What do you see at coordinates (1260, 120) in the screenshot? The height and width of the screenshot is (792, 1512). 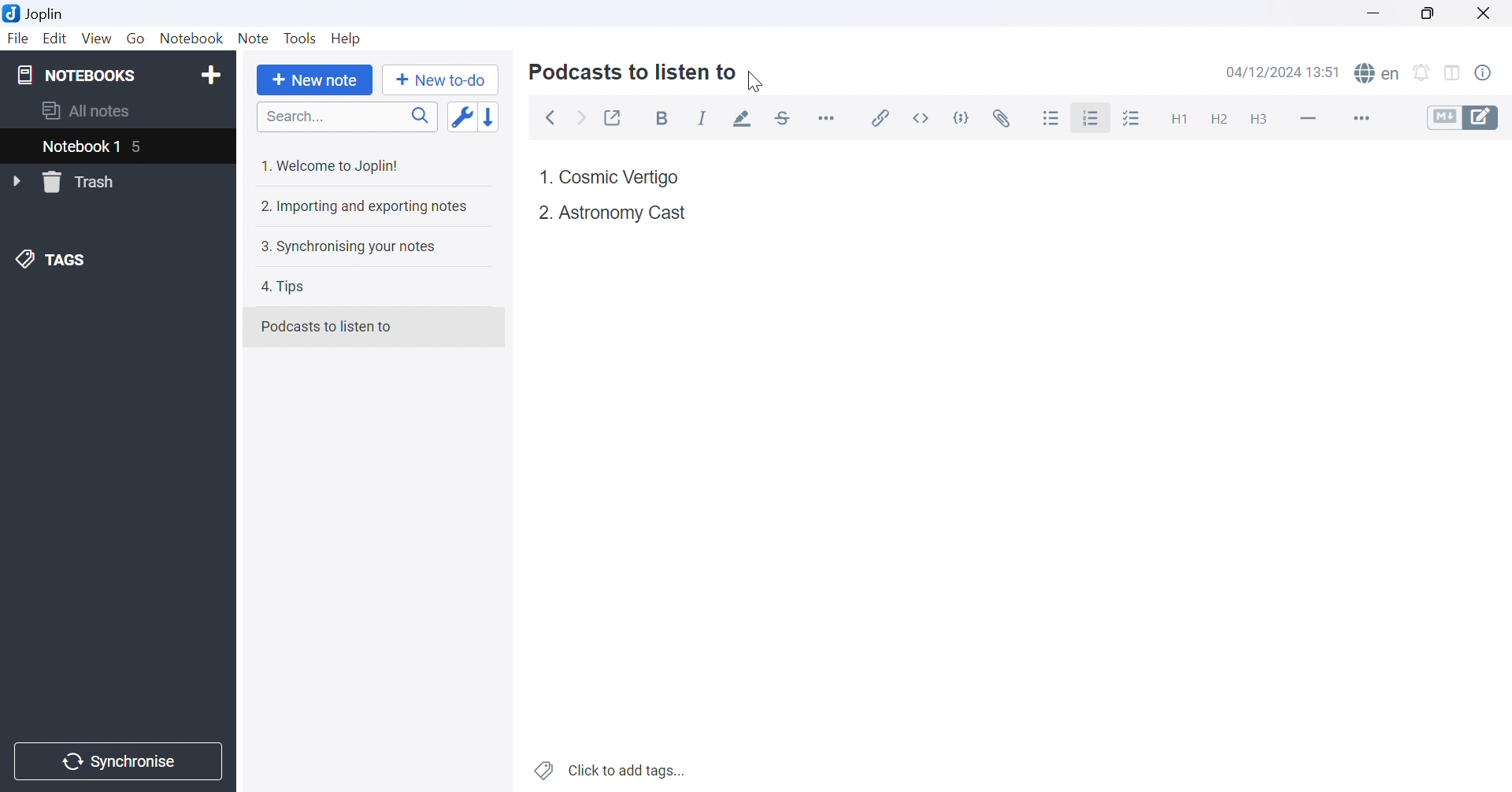 I see `Heading 3` at bounding box center [1260, 120].